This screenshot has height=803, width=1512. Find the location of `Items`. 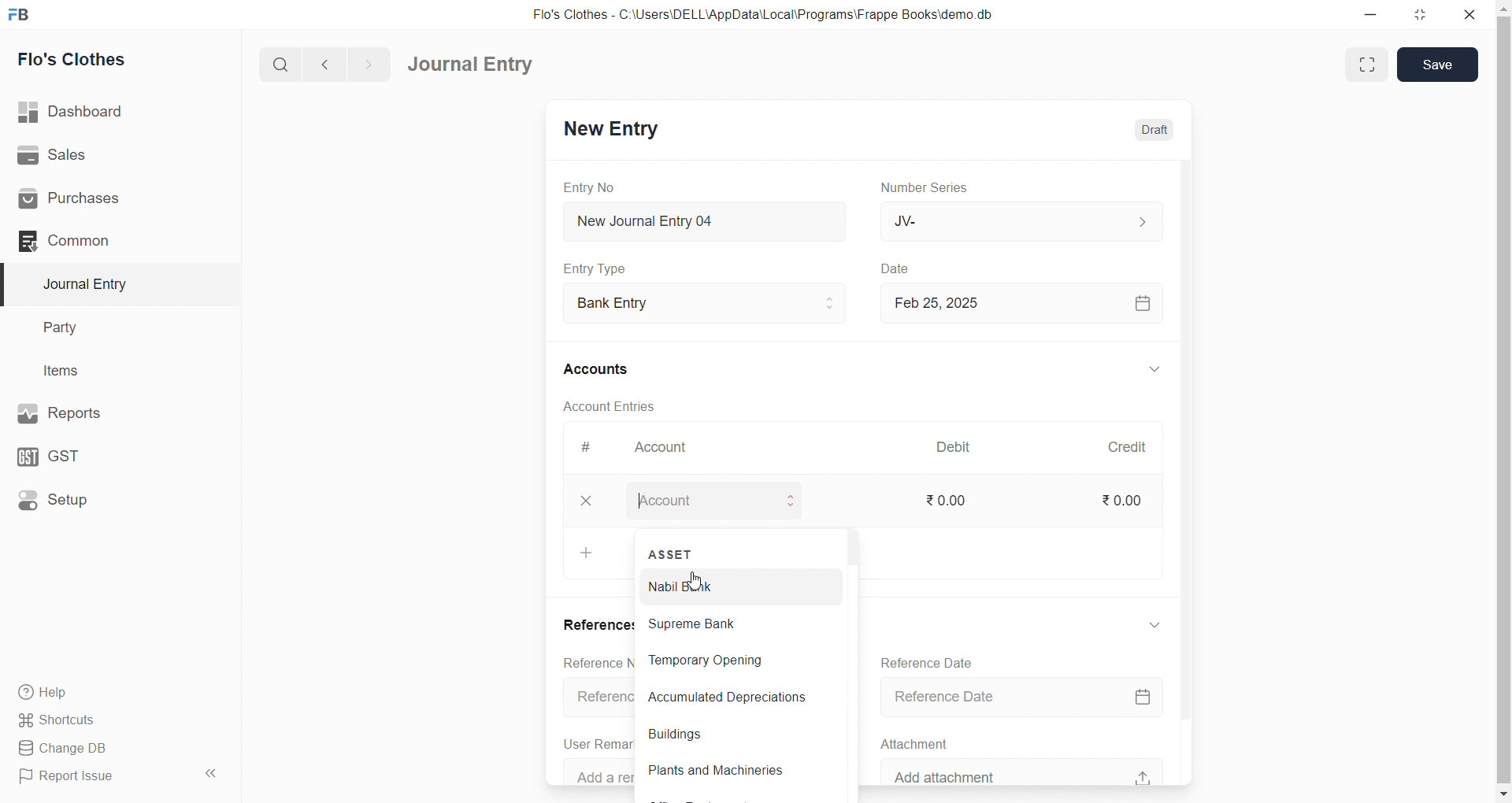

Items is located at coordinates (109, 372).